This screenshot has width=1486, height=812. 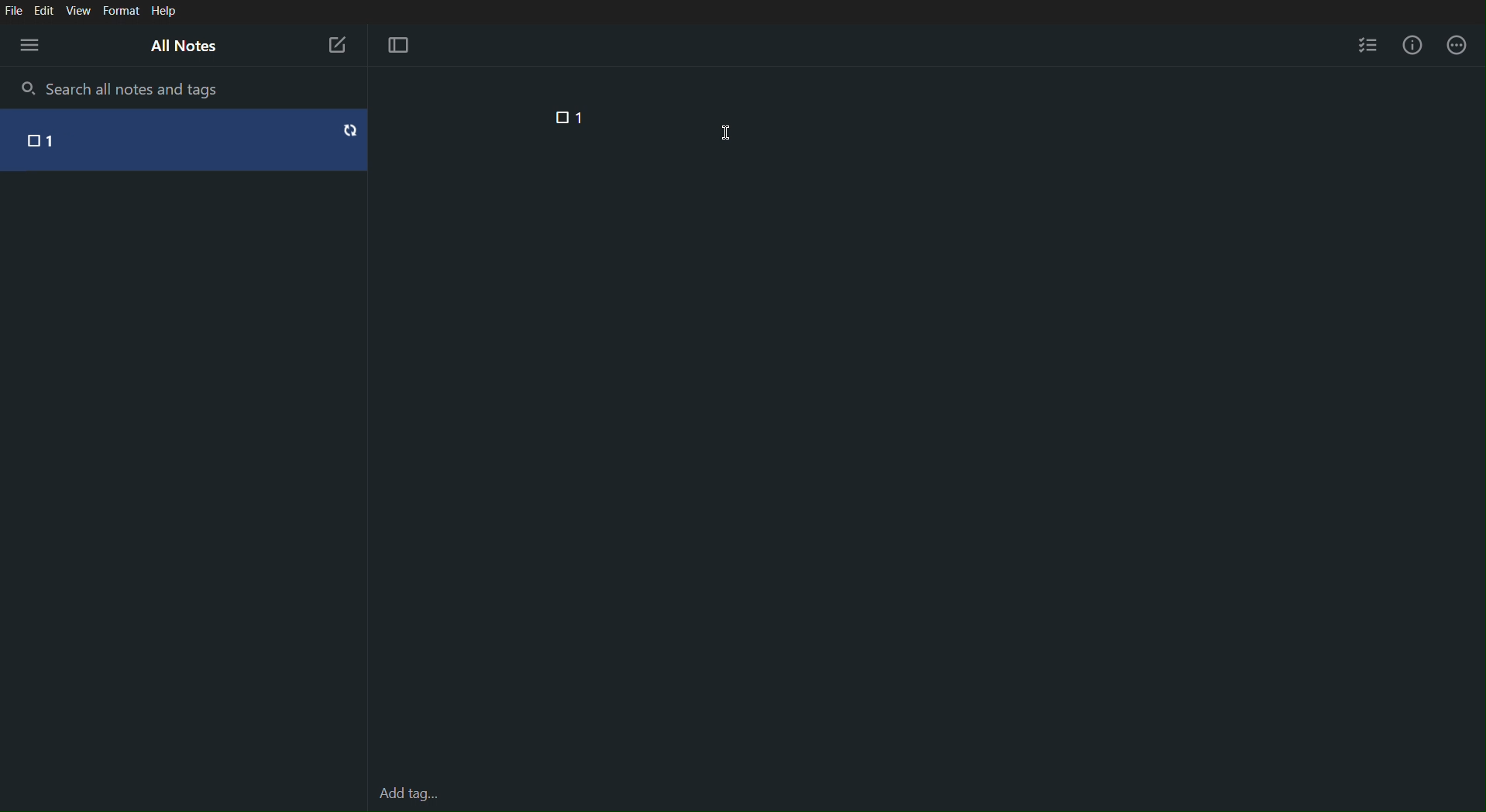 What do you see at coordinates (350, 129) in the screenshot?
I see `reset` at bounding box center [350, 129].